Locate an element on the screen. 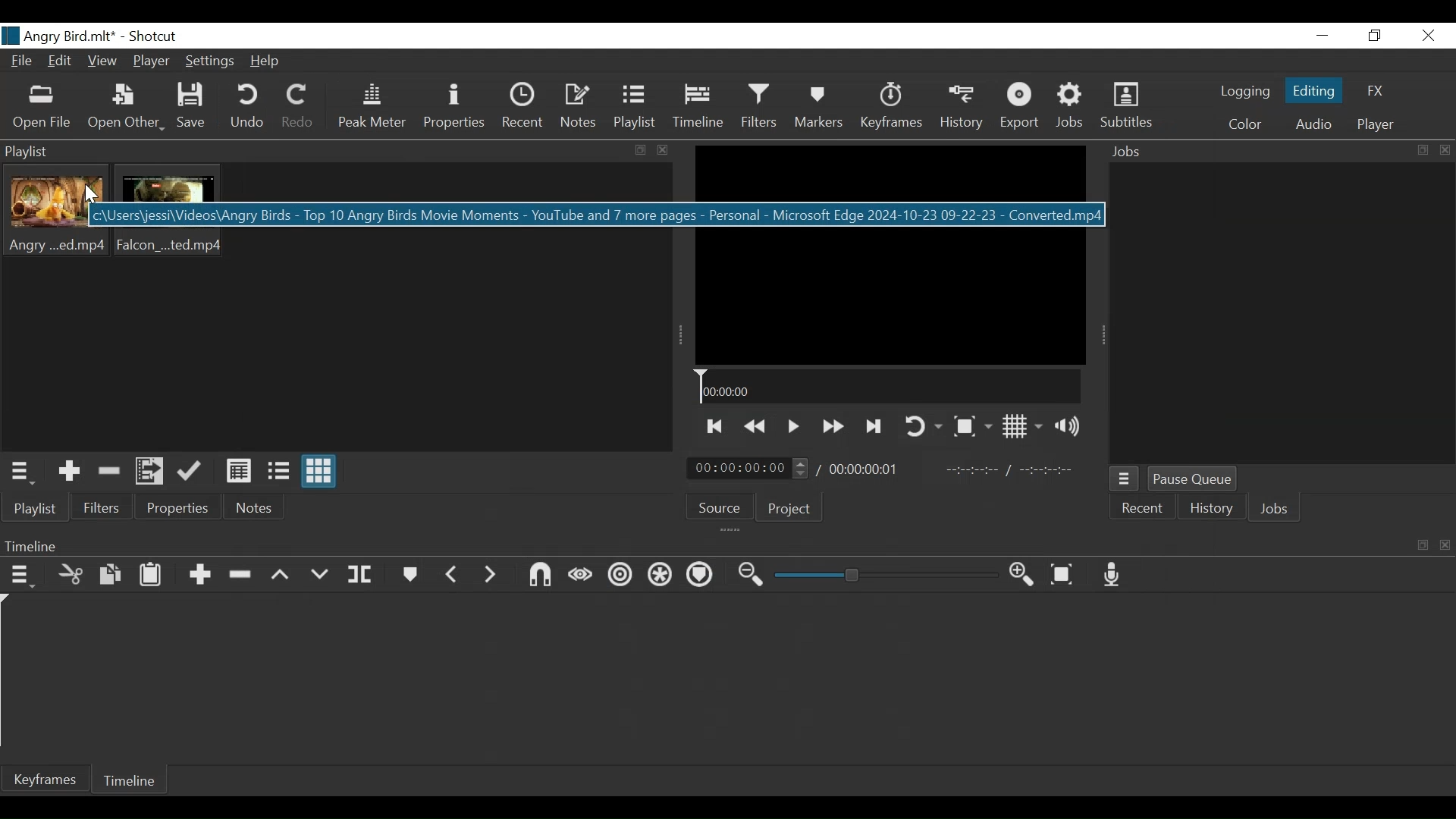 This screenshot has height=819, width=1456. Recent is located at coordinates (522, 109).